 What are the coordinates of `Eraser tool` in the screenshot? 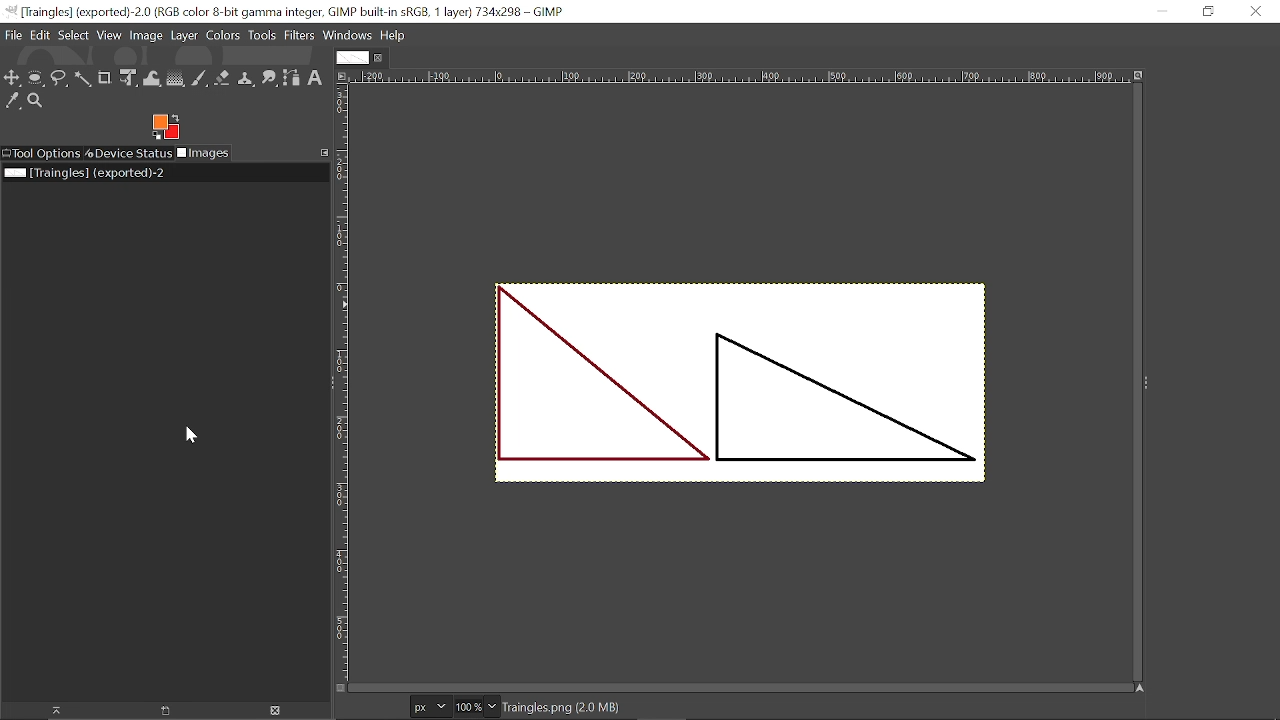 It's located at (223, 80).